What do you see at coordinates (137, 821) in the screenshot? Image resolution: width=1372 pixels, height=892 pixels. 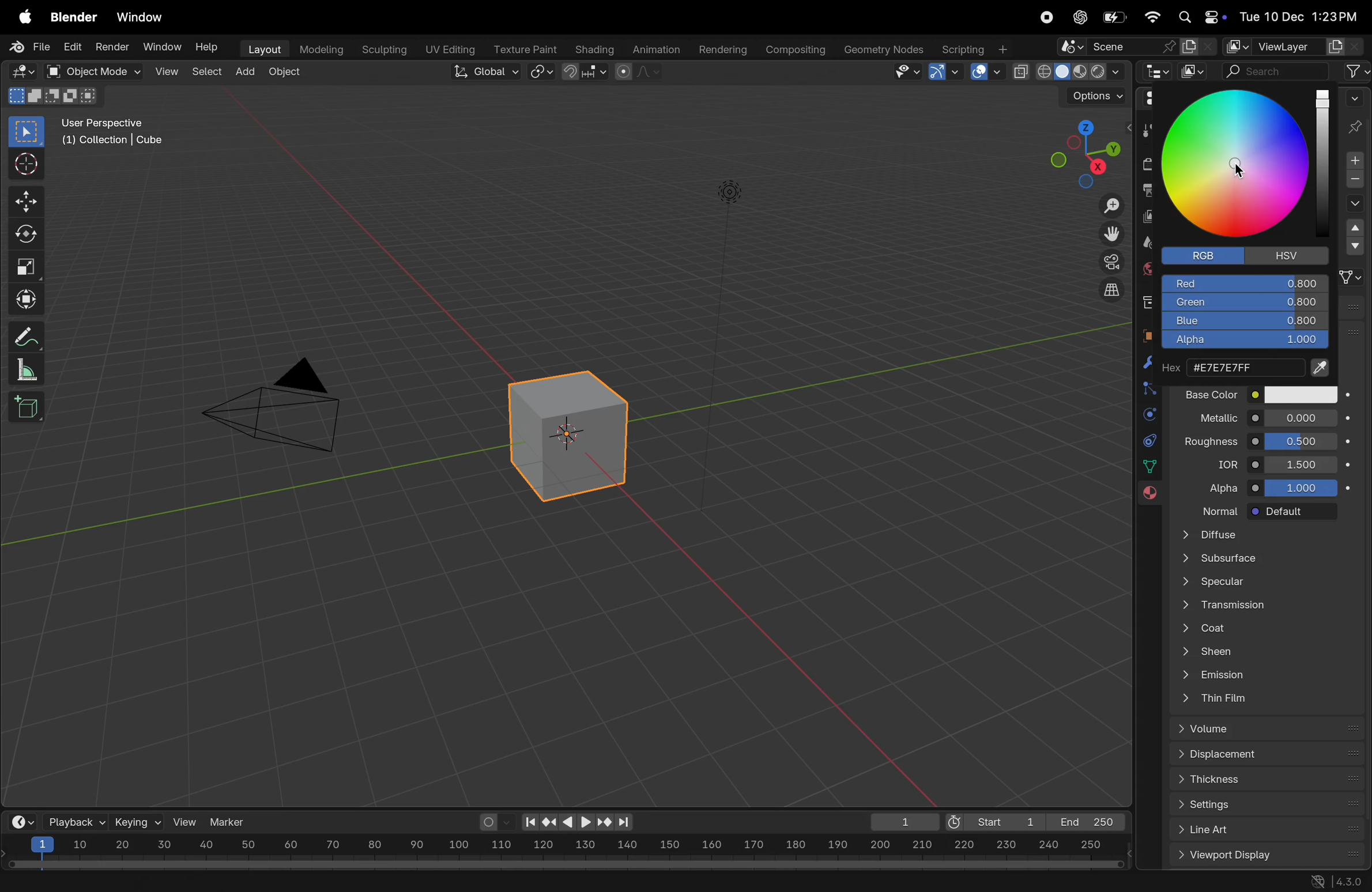 I see `keying` at bounding box center [137, 821].